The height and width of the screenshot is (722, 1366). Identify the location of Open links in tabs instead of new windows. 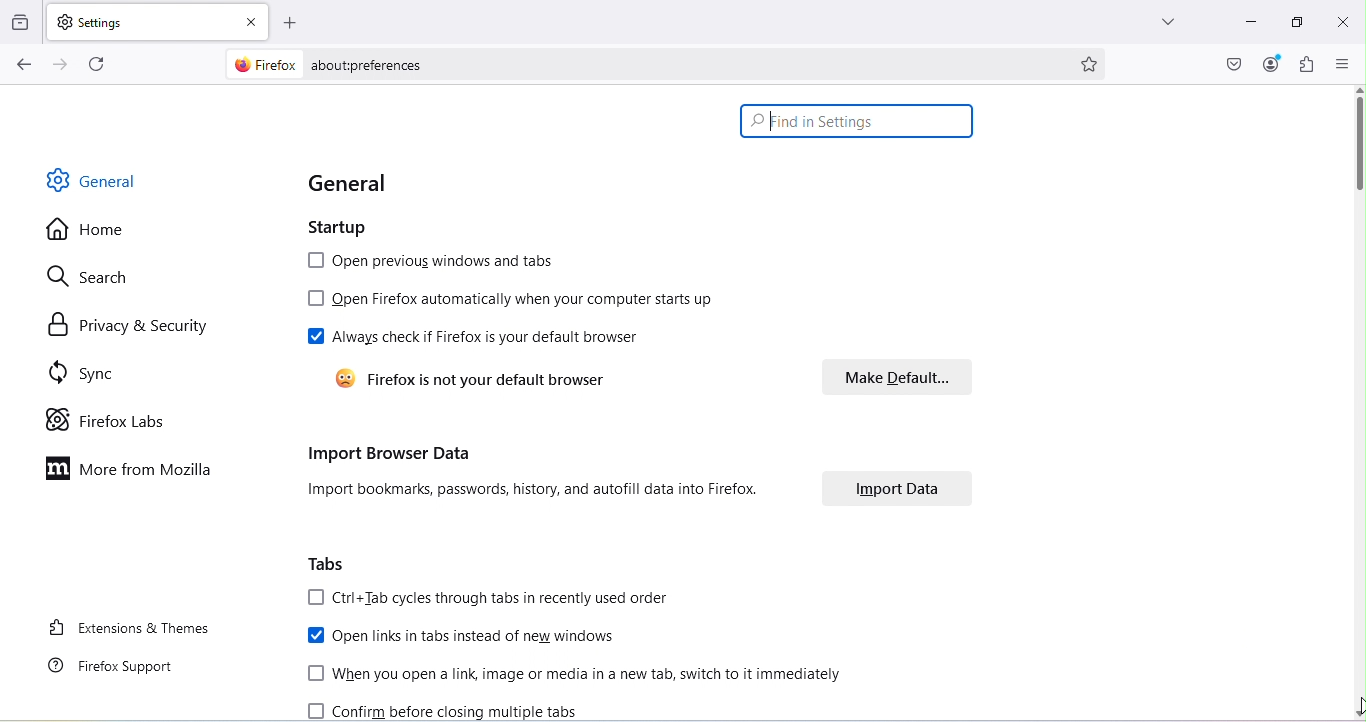
(466, 636).